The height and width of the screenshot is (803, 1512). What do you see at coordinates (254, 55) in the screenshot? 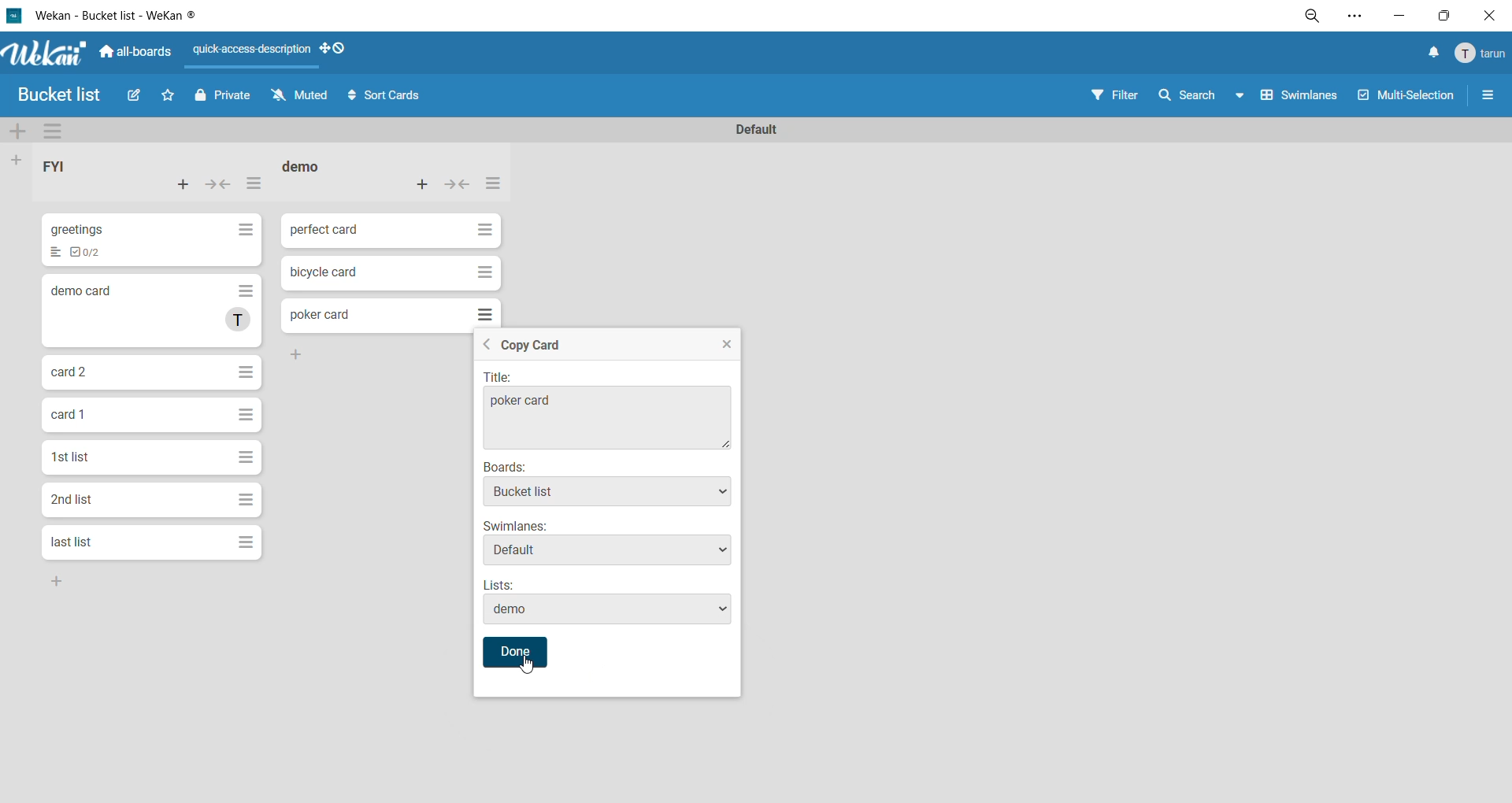
I see `quick access description` at bounding box center [254, 55].